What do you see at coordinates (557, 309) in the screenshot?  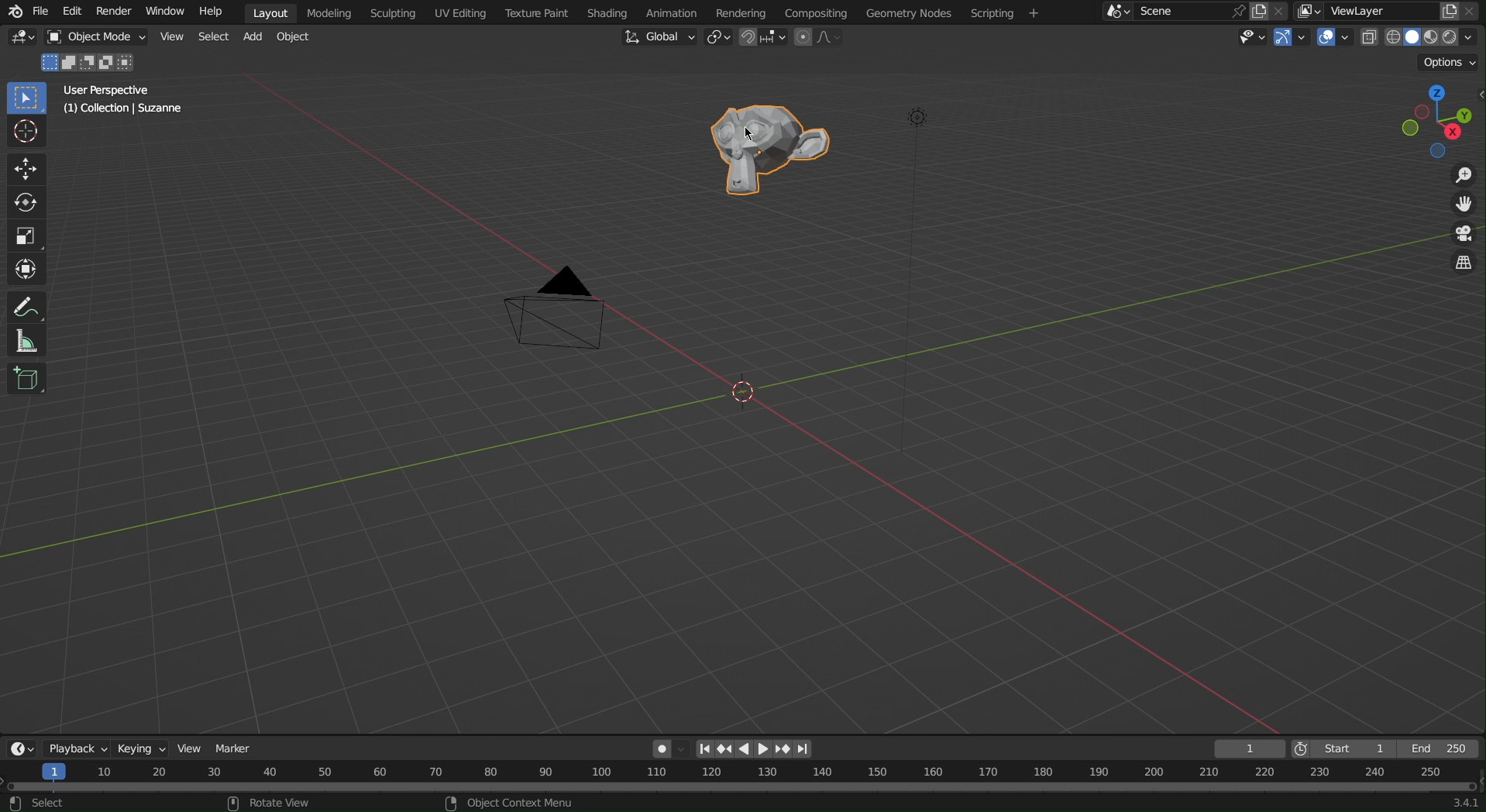 I see `Camera` at bounding box center [557, 309].